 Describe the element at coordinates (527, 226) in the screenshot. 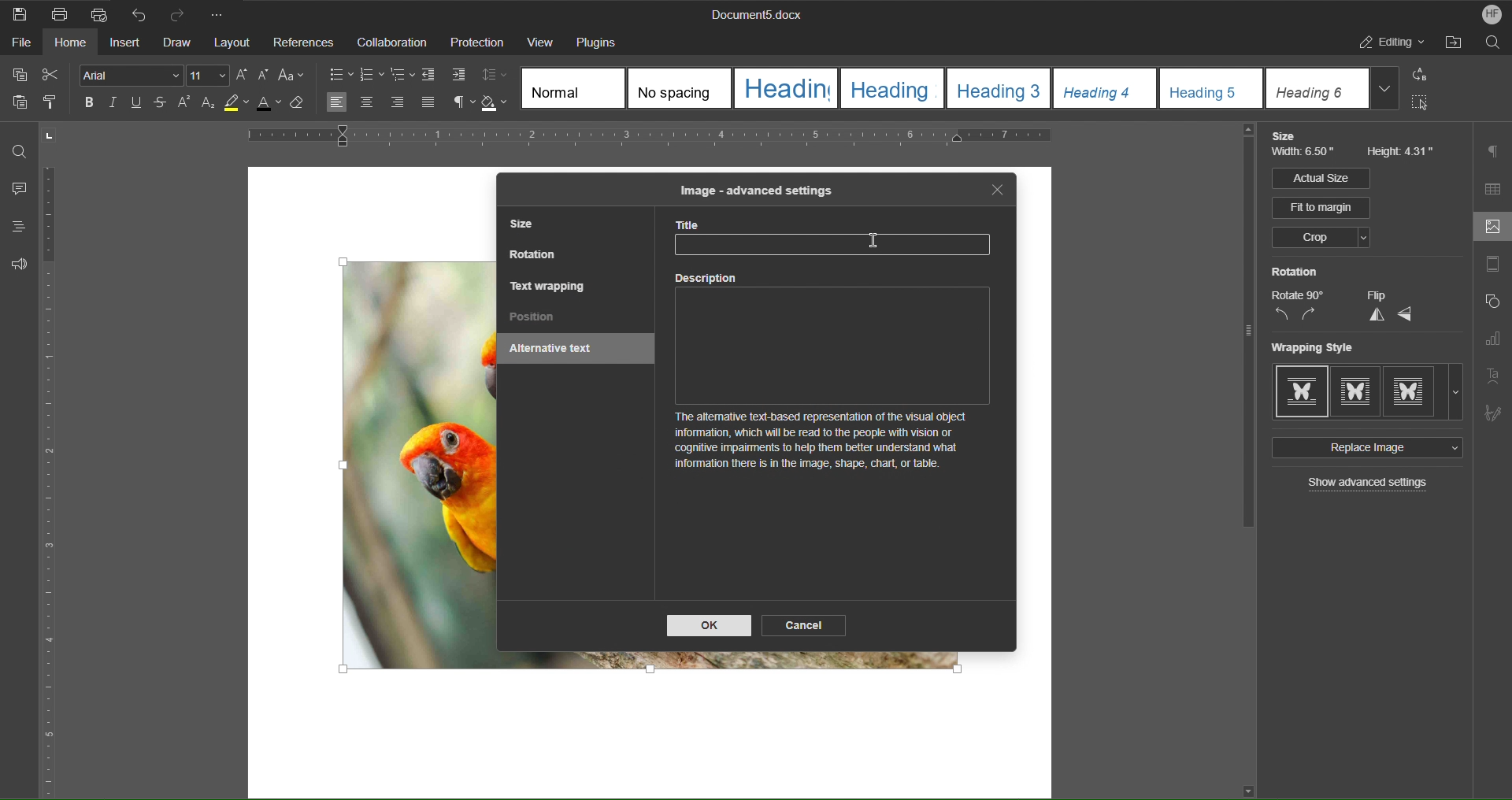

I see `Size` at that location.